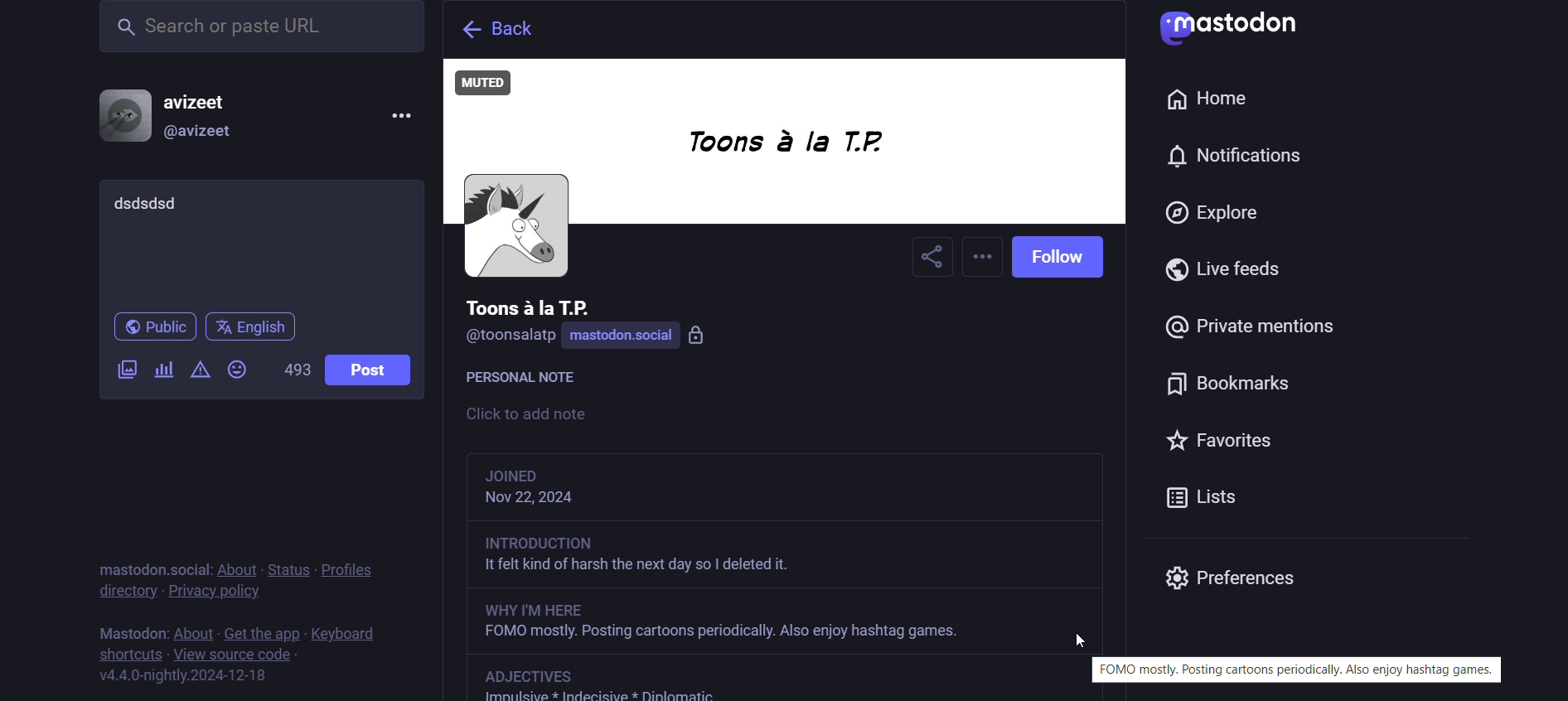  What do you see at coordinates (784, 145) in the screenshot?
I see `cover picture` at bounding box center [784, 145].